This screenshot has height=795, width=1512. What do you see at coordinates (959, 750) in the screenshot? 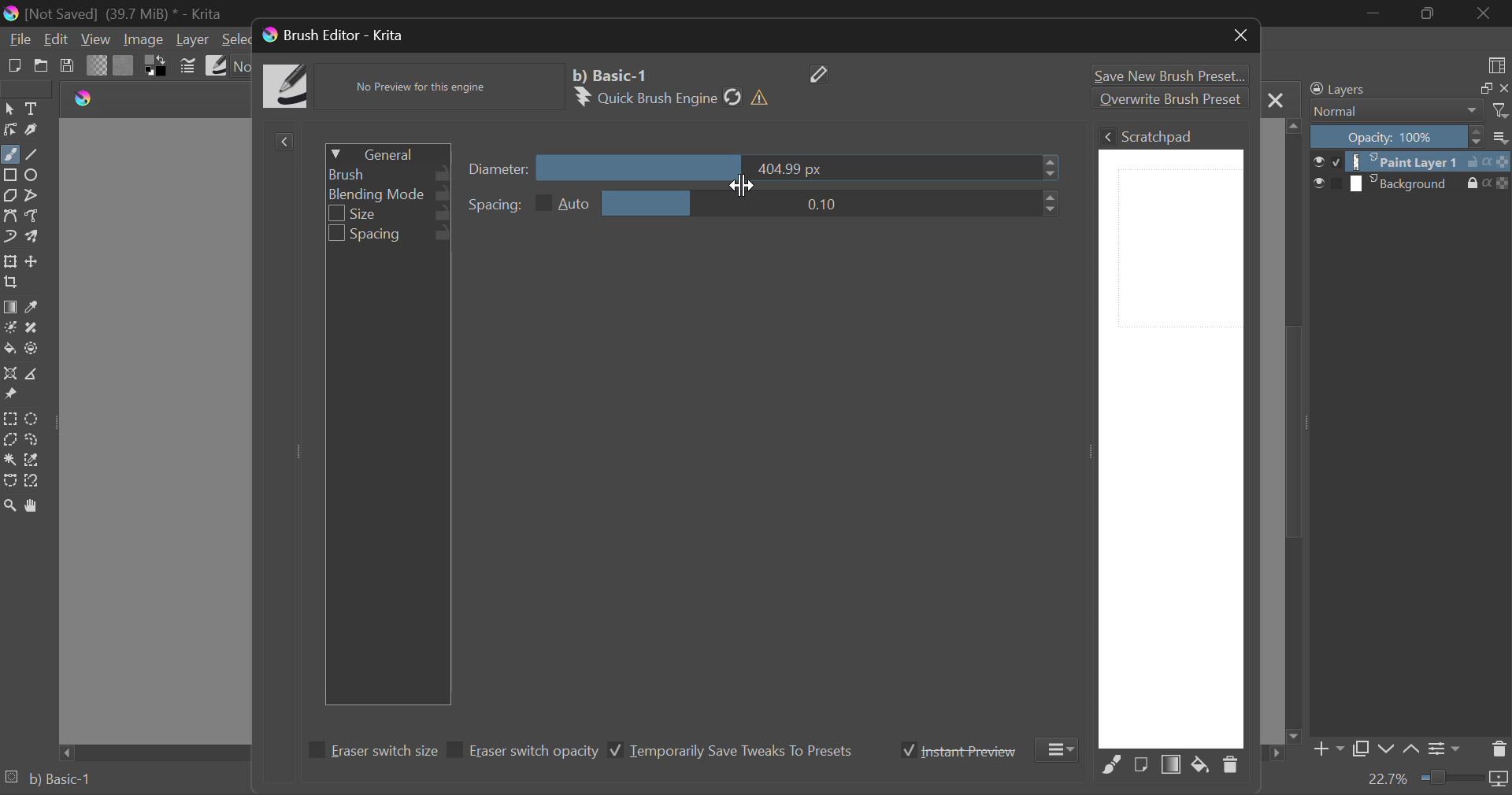
I see `Instant Preview` at bounding box center [959, 750].